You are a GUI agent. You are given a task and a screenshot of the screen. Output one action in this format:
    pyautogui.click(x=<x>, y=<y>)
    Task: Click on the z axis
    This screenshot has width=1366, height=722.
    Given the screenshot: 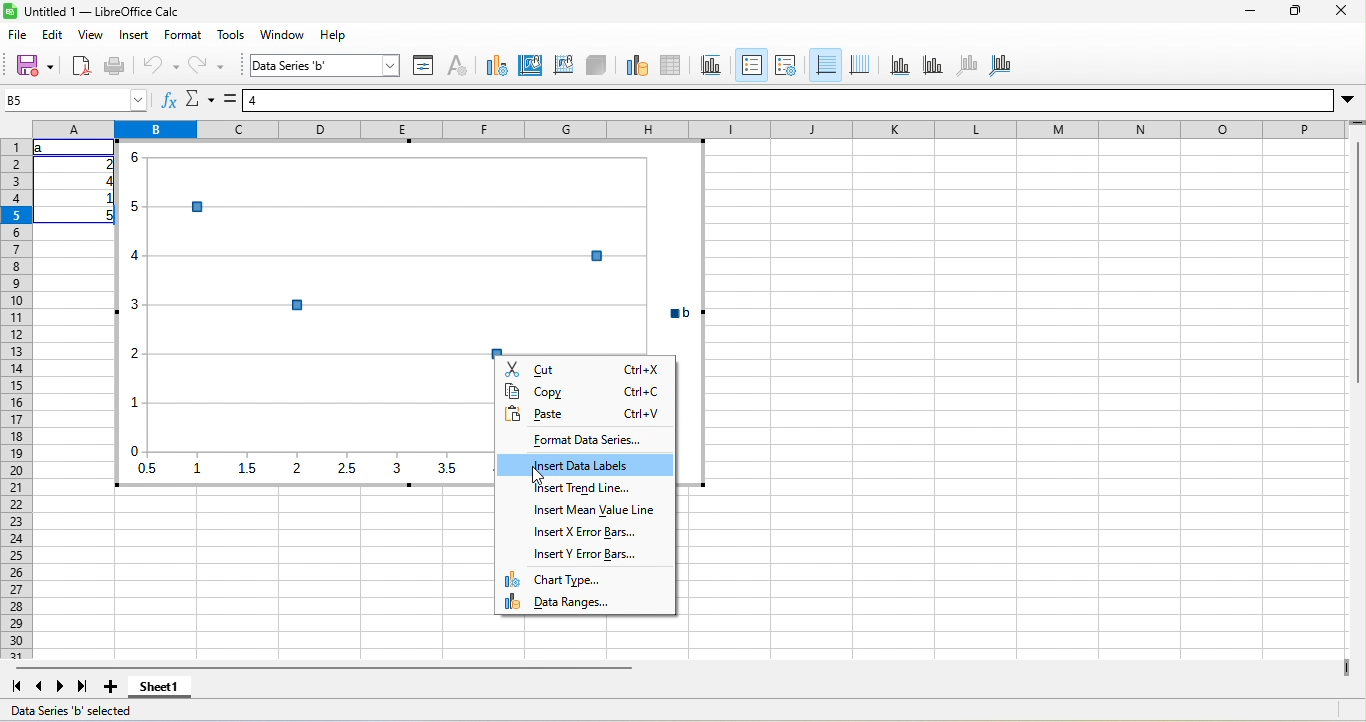 What is the action you would take?
    pyautogui.click(x=968, y=67)
    